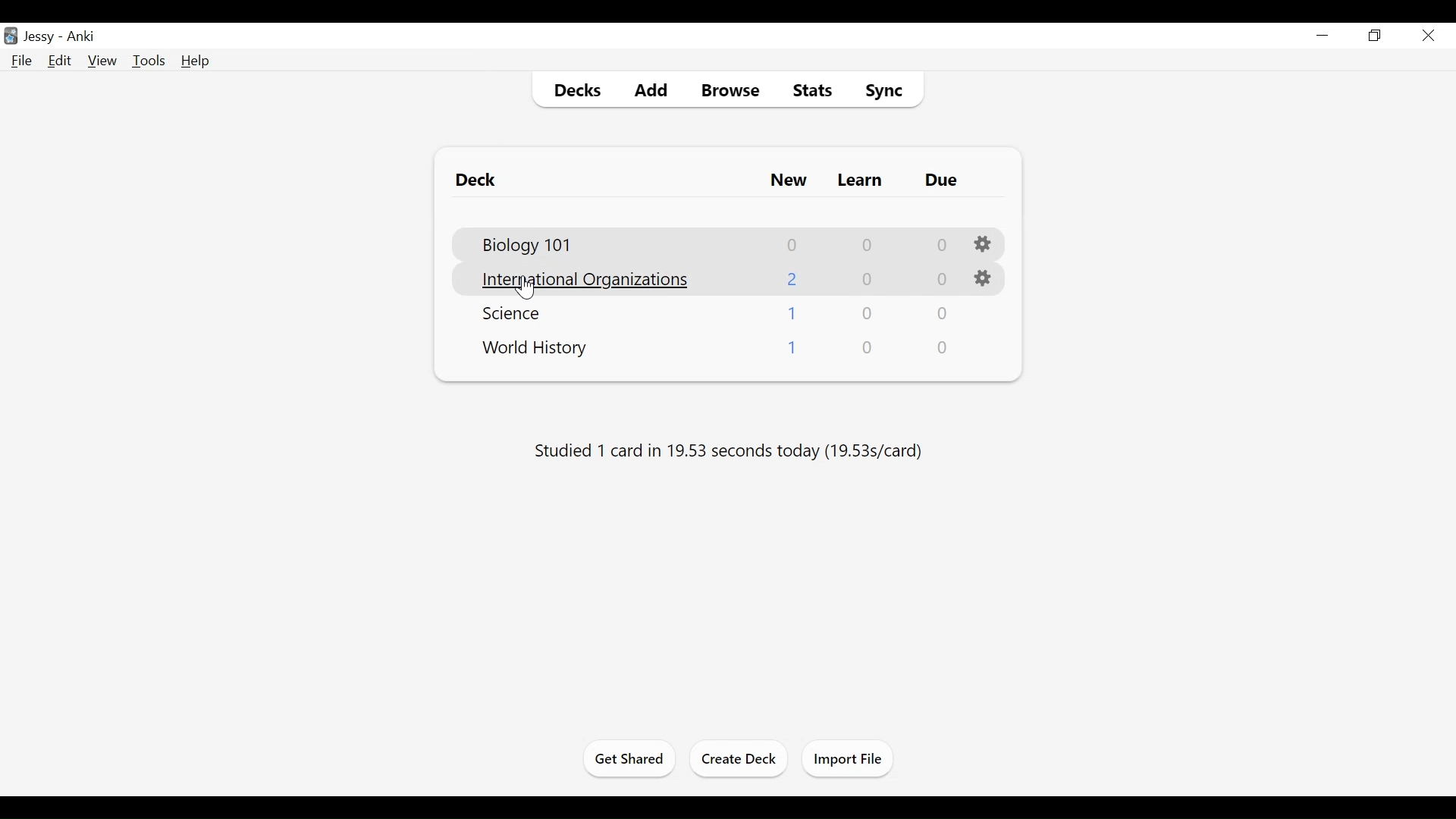  I want to click on Learn Card Count, so click(868, 313).